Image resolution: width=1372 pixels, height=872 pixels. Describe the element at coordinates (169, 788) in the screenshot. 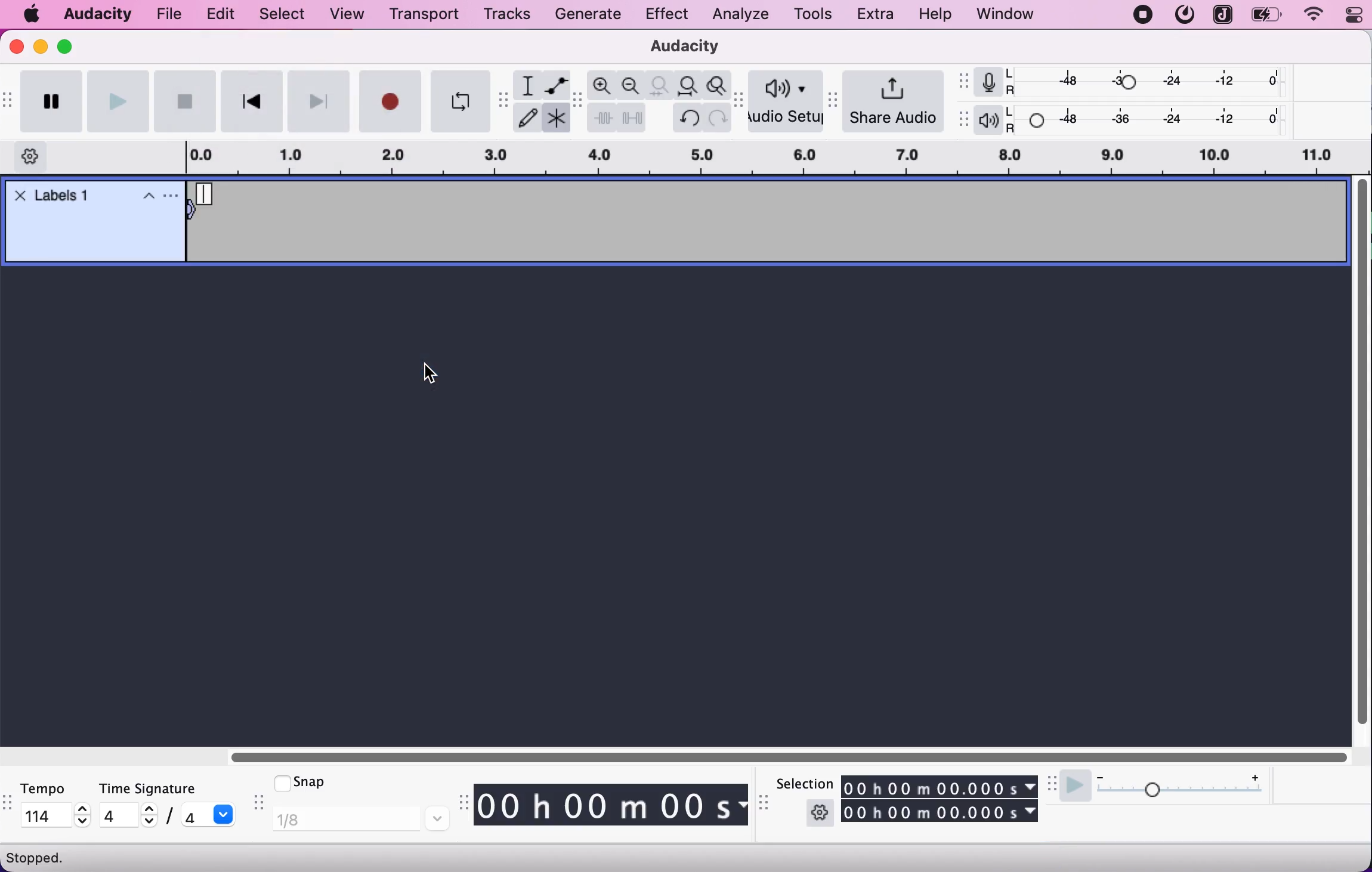

I see `time signature` at that location.